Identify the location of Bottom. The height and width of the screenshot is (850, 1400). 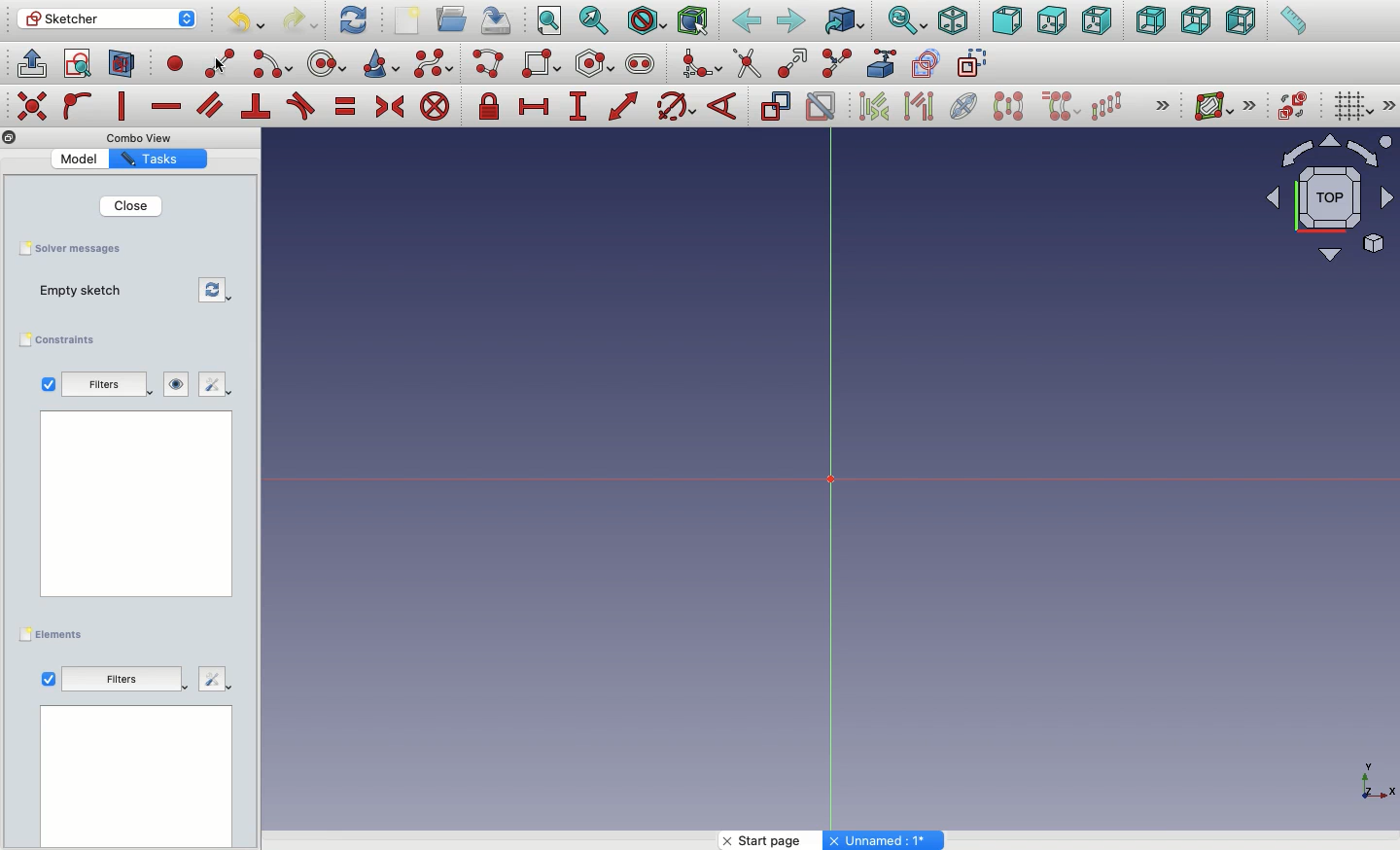
(1196, 22).